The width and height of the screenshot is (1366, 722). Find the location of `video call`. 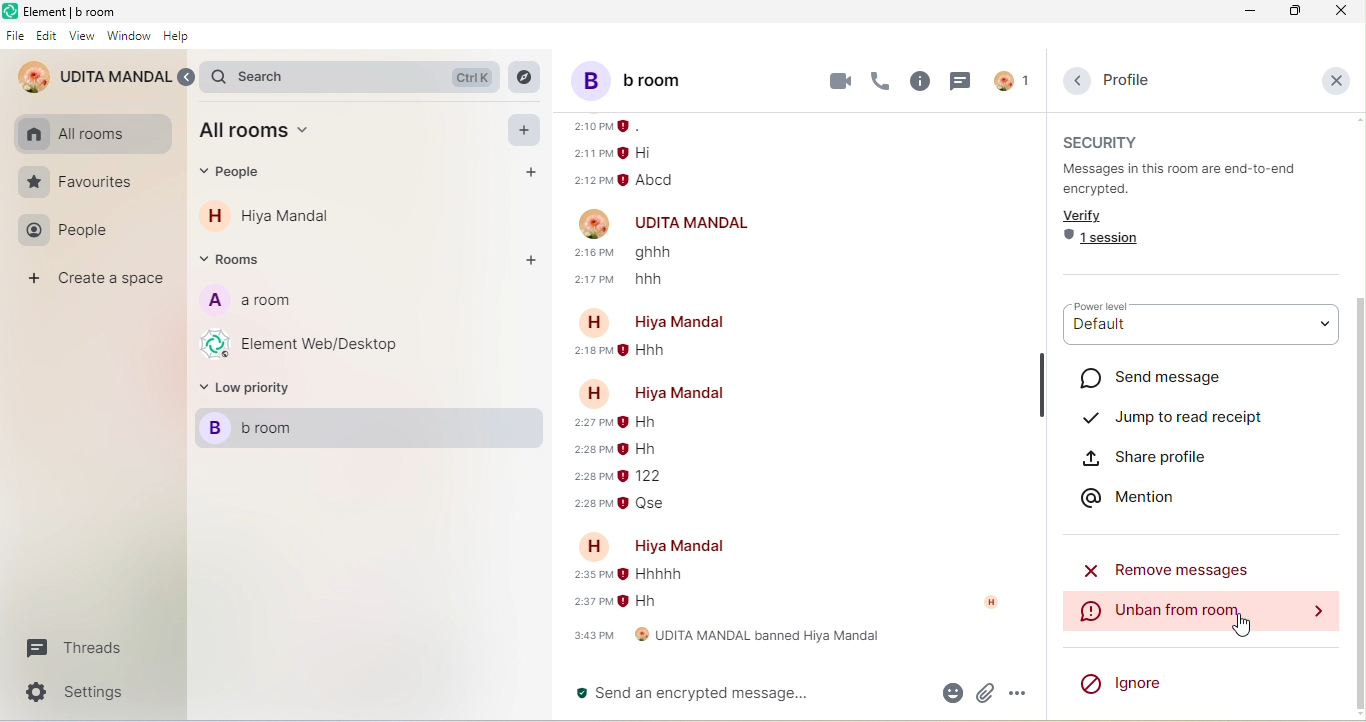

video call is located at coordinates (840, 80).